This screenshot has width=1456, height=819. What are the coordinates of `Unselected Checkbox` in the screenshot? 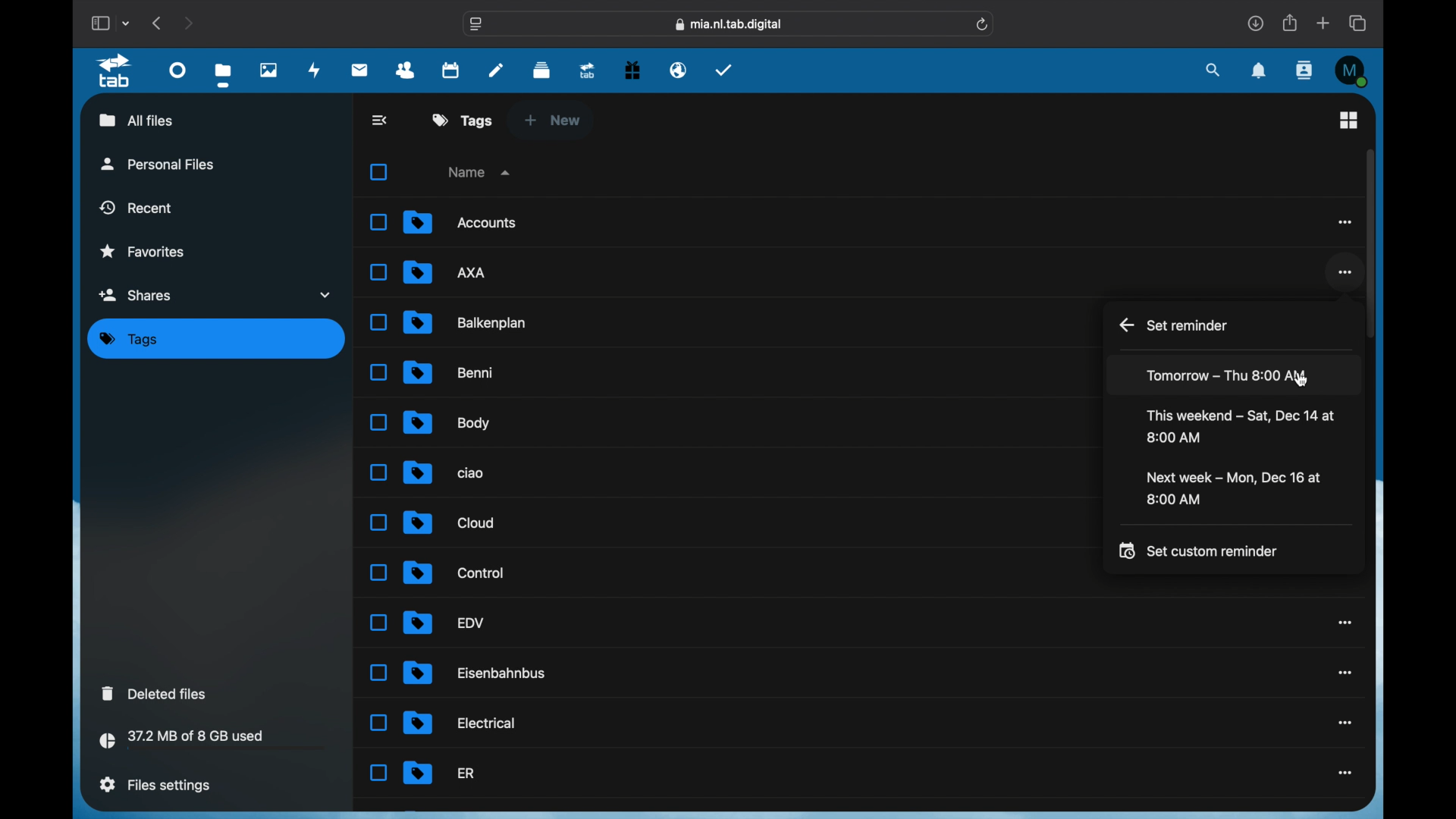 It's located at (378, 323).